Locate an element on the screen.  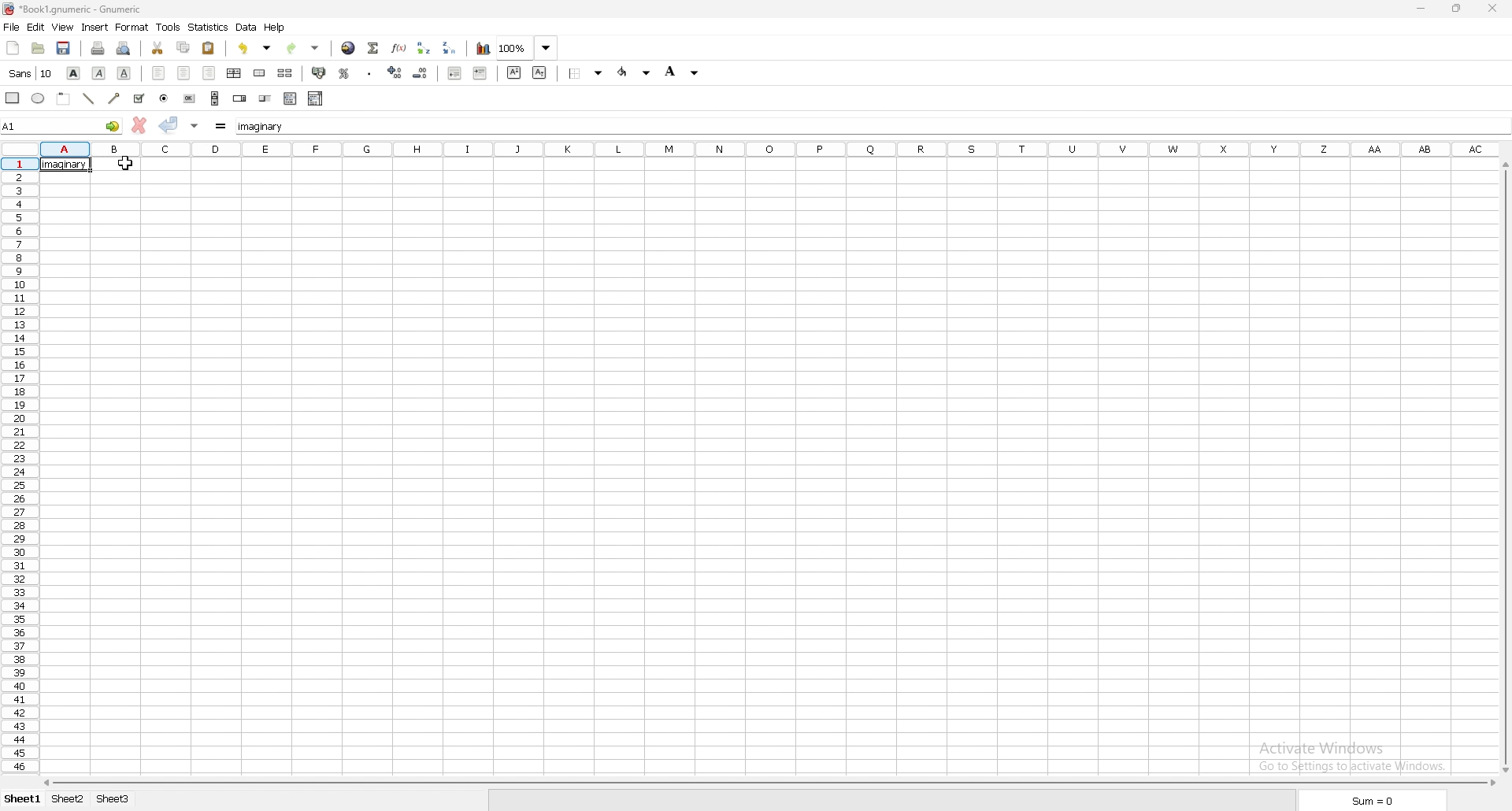
column is located at coordinates (770, 148).